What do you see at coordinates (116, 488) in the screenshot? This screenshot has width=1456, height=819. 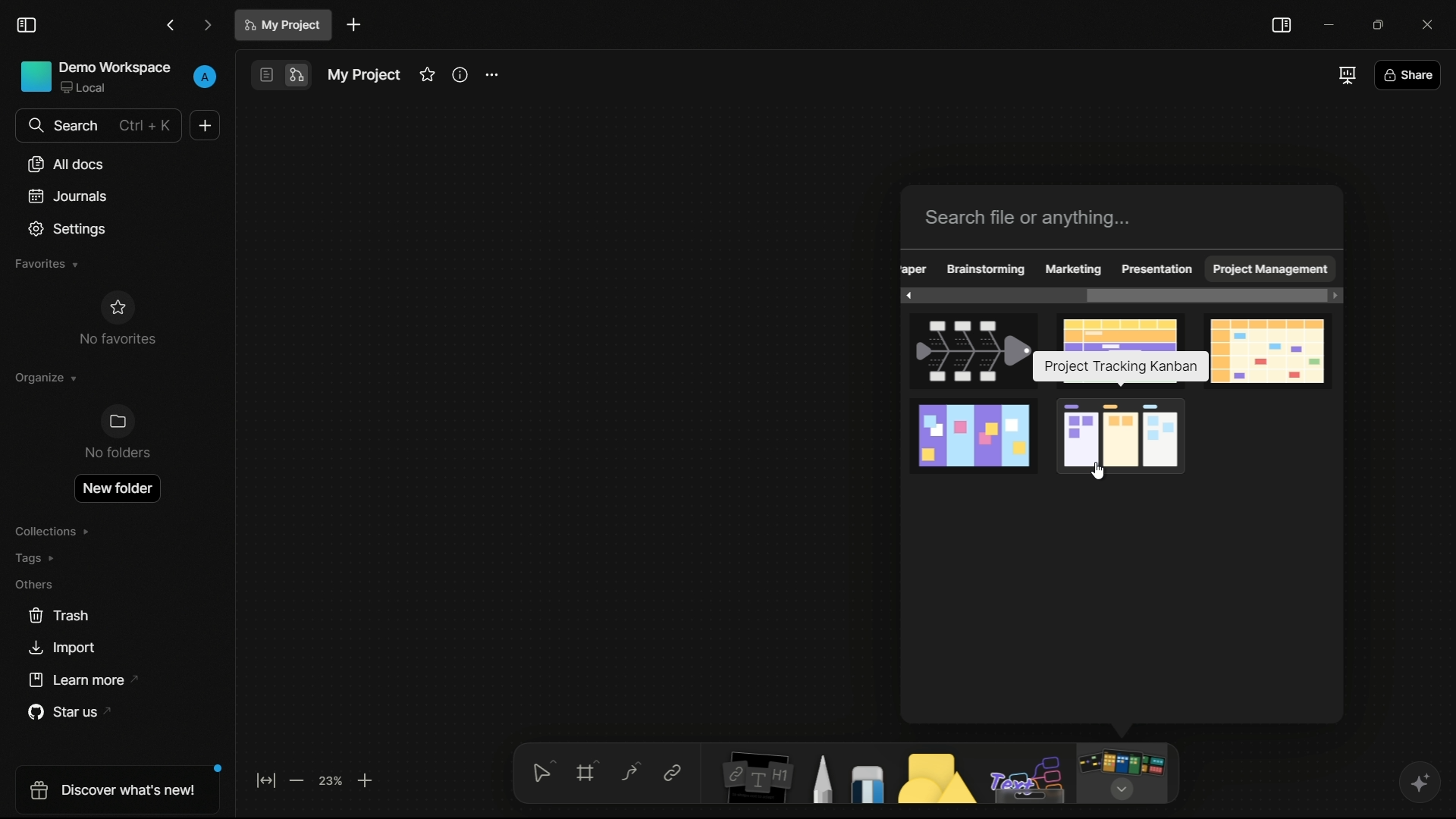 I see `new folder` at bounding box center [116, 488].